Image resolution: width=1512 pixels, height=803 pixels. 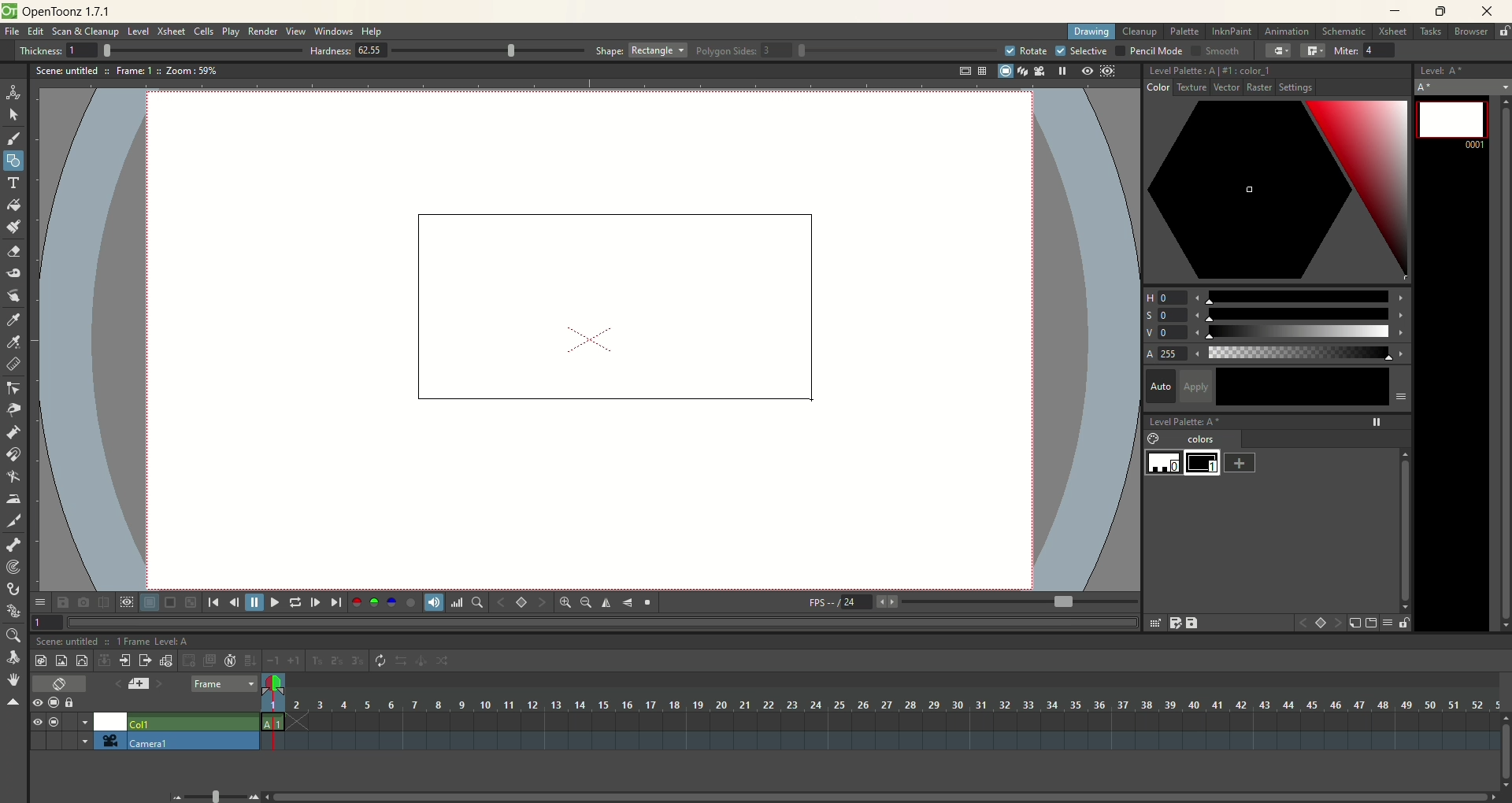 I want to click on alpha, so click(x=1277, y=354).